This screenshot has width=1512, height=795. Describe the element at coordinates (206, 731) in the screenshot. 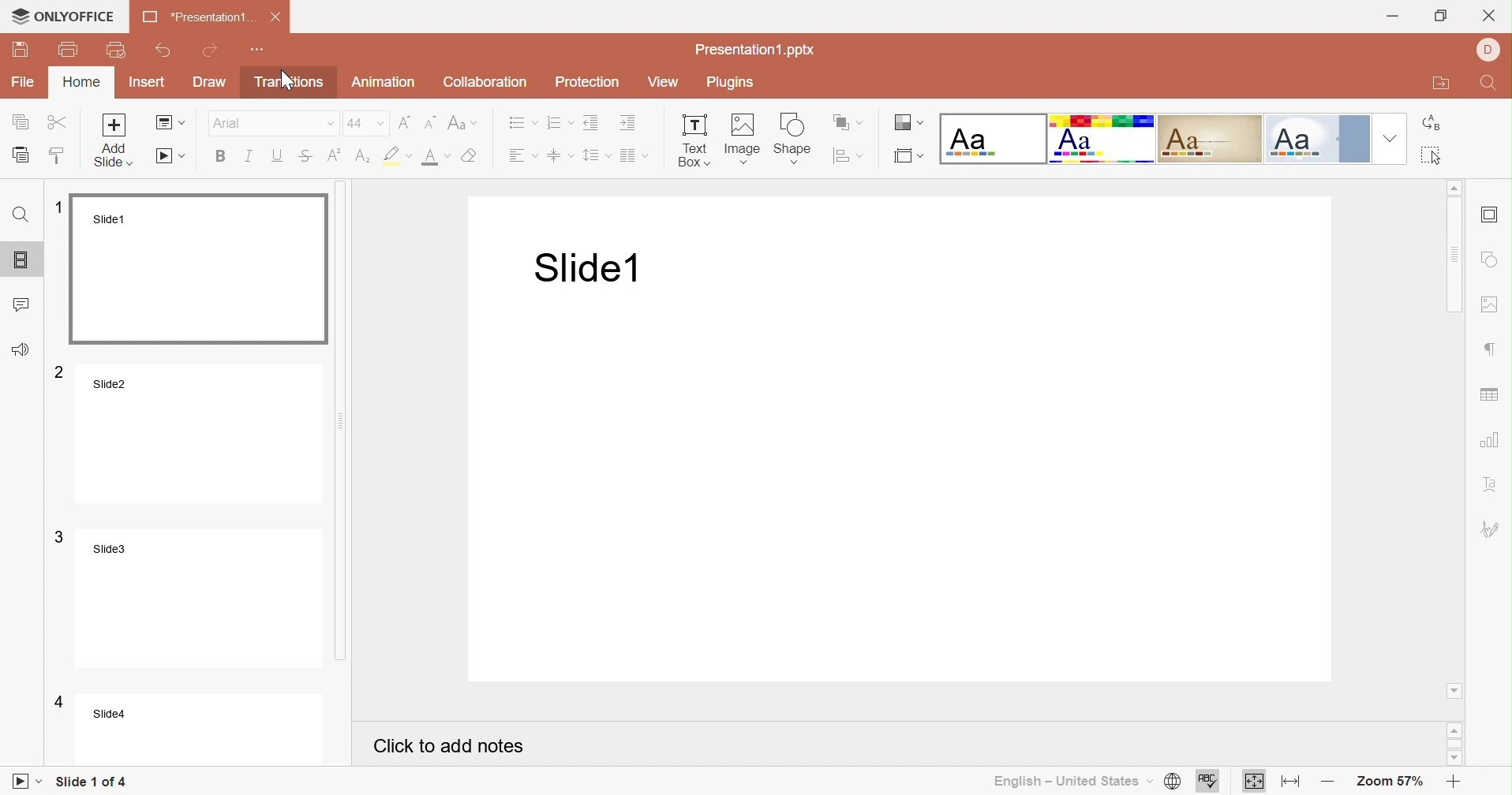

I see `Slide4` at that location.